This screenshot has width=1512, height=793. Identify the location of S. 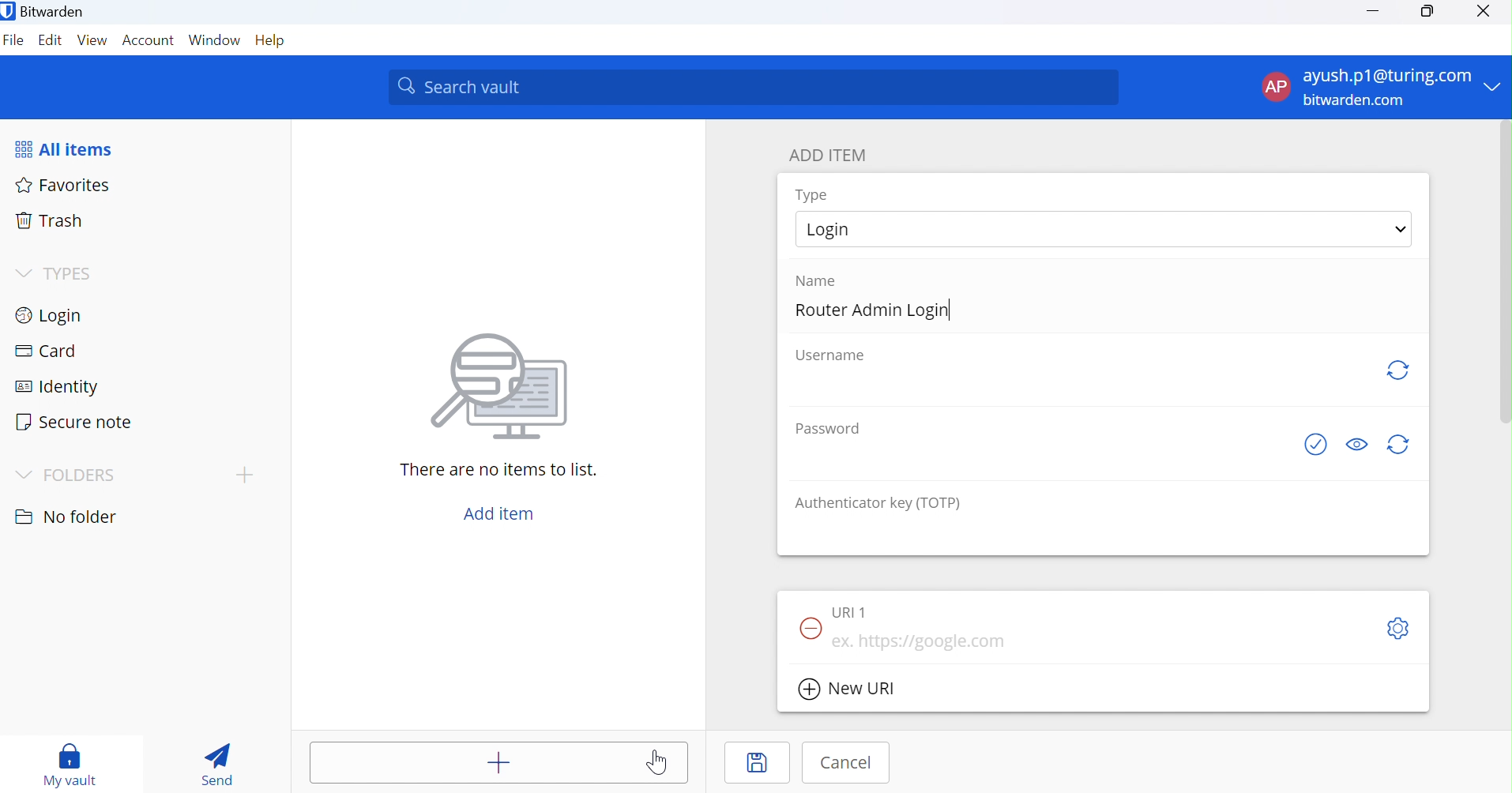
(1397, 630).